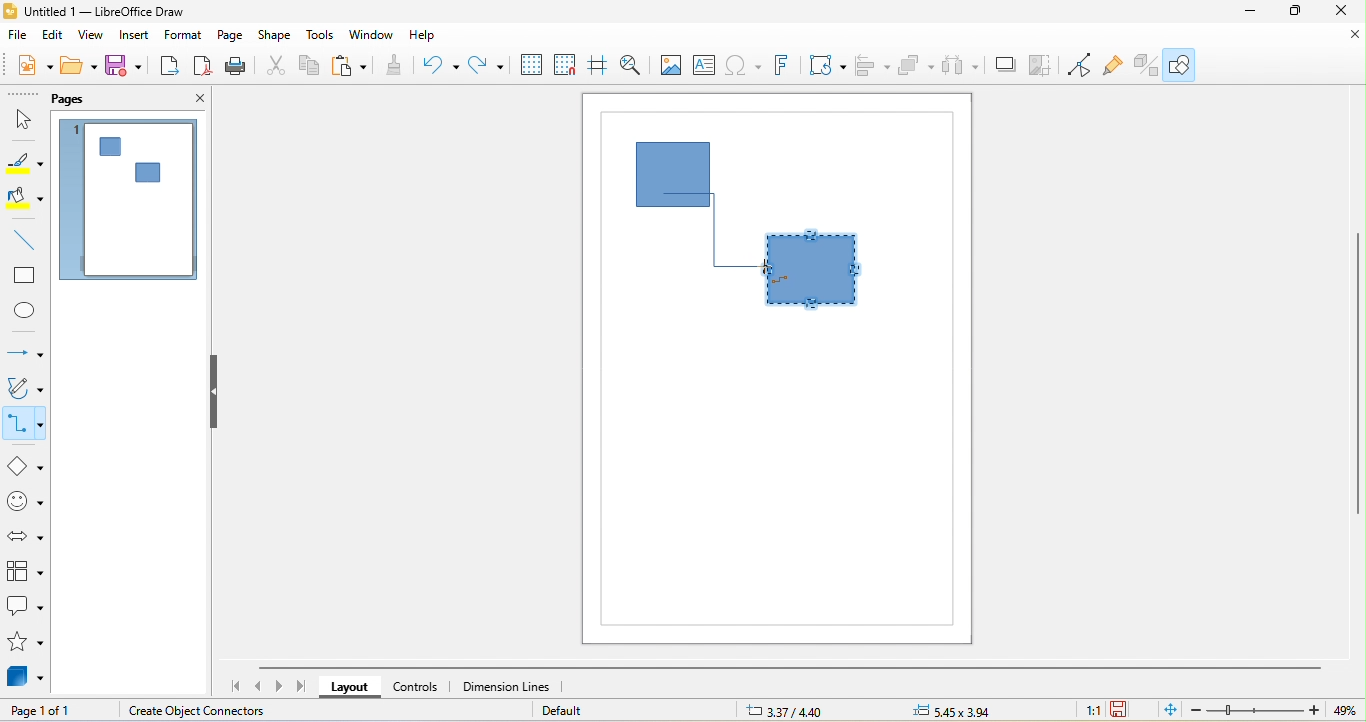 The height and width of the screenshot is (722, 1366). What do you see at coordinates (788, 670) in the screenshot?
I see `horizontal scroll bar` at bounding box center [788, 670].